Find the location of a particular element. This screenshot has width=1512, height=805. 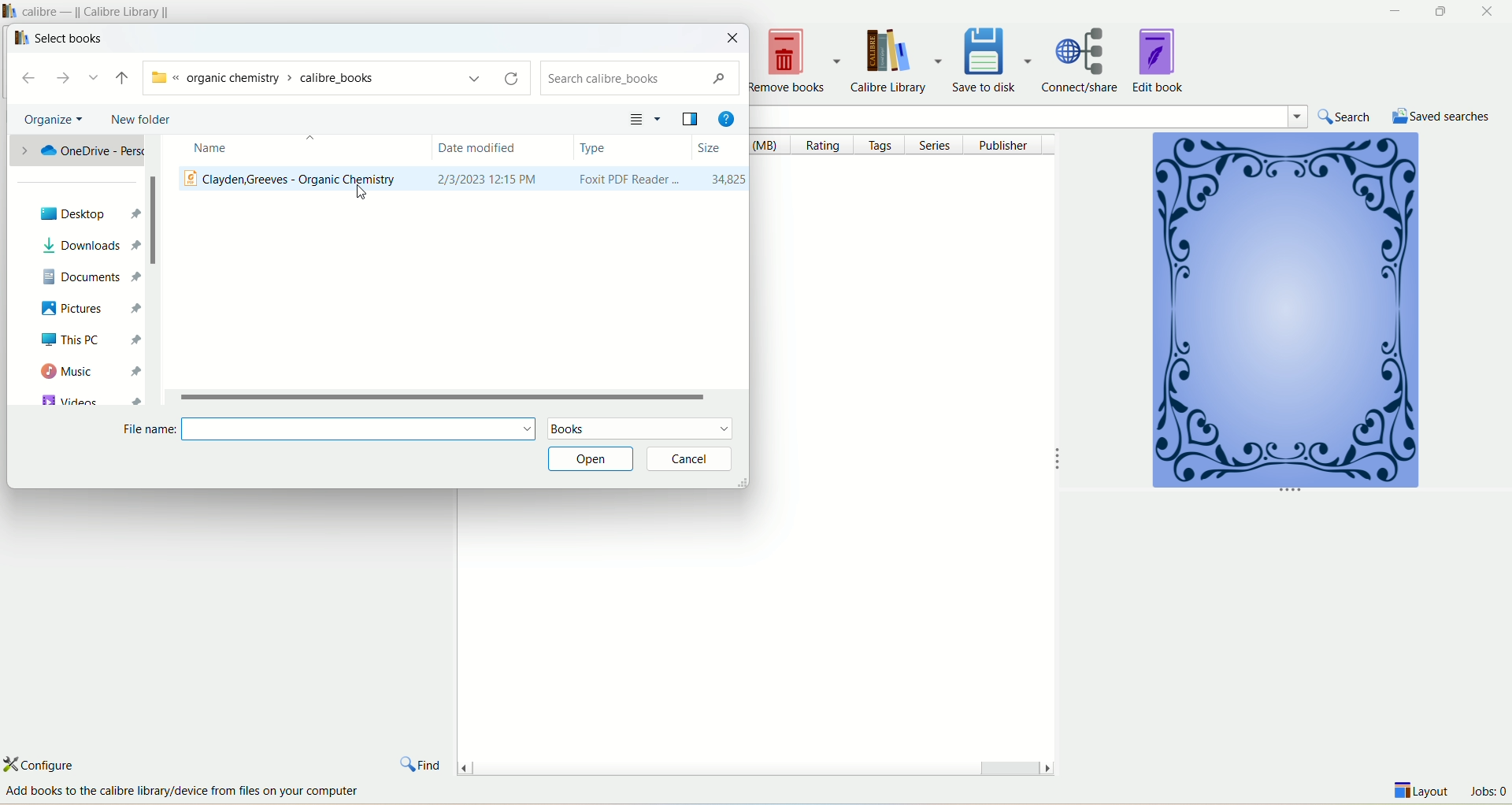

book is located at coordinates (1283, 314).